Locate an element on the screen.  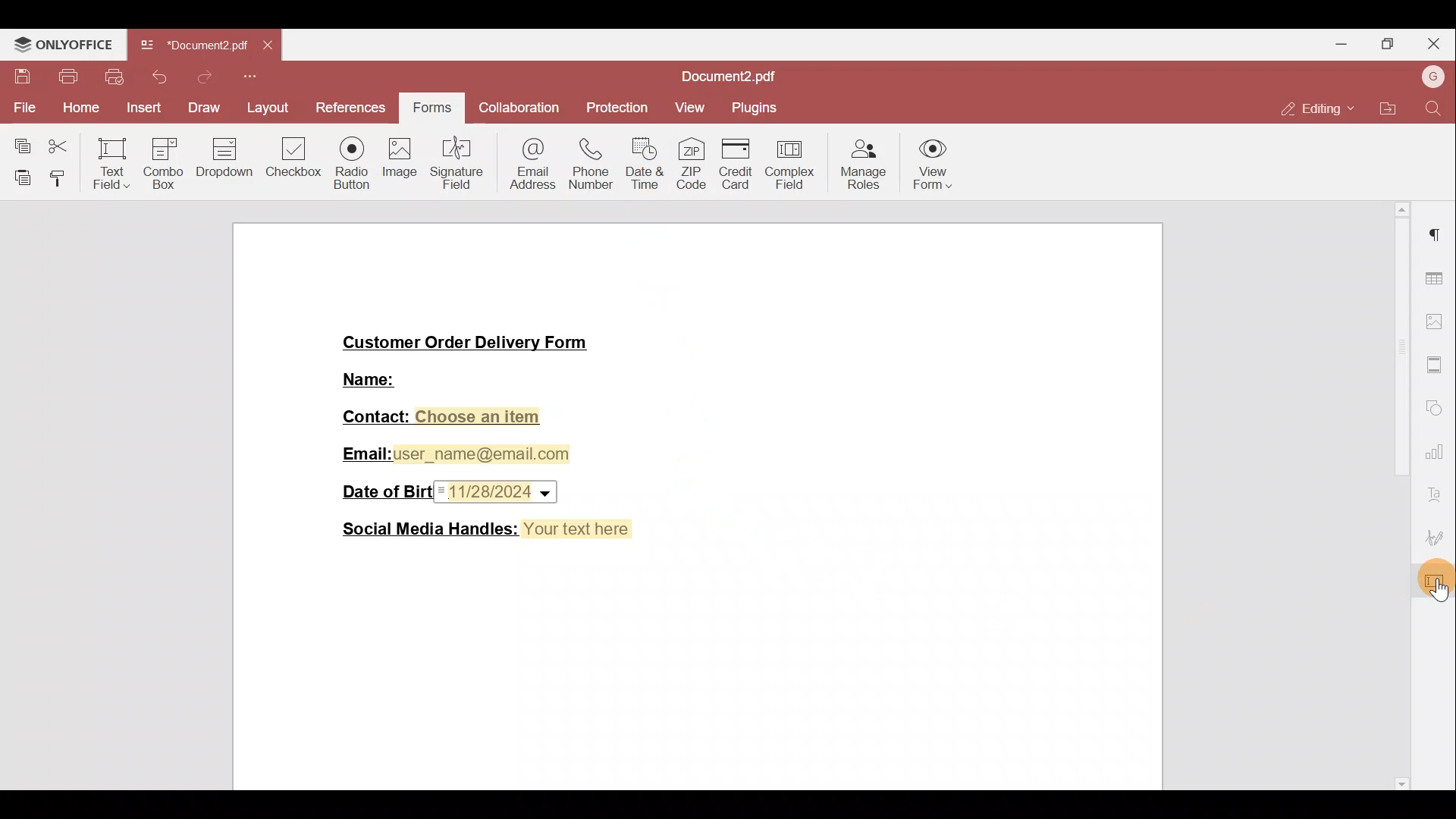
ONLYOFFICE is located at coordinates (63, 42).